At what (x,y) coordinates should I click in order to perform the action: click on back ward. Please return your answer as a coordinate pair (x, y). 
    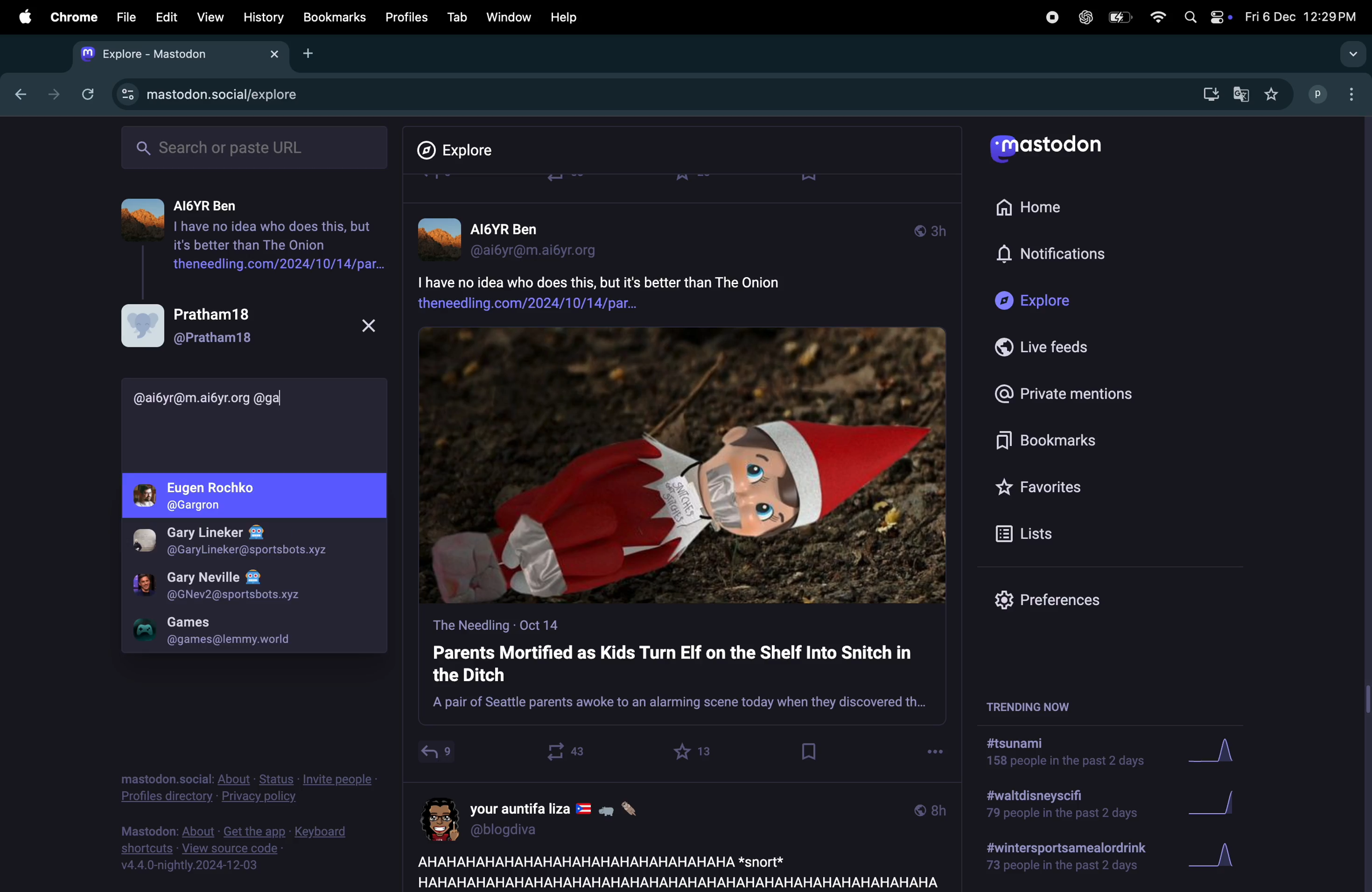
    Looking at the image, I should click on (17, 92).